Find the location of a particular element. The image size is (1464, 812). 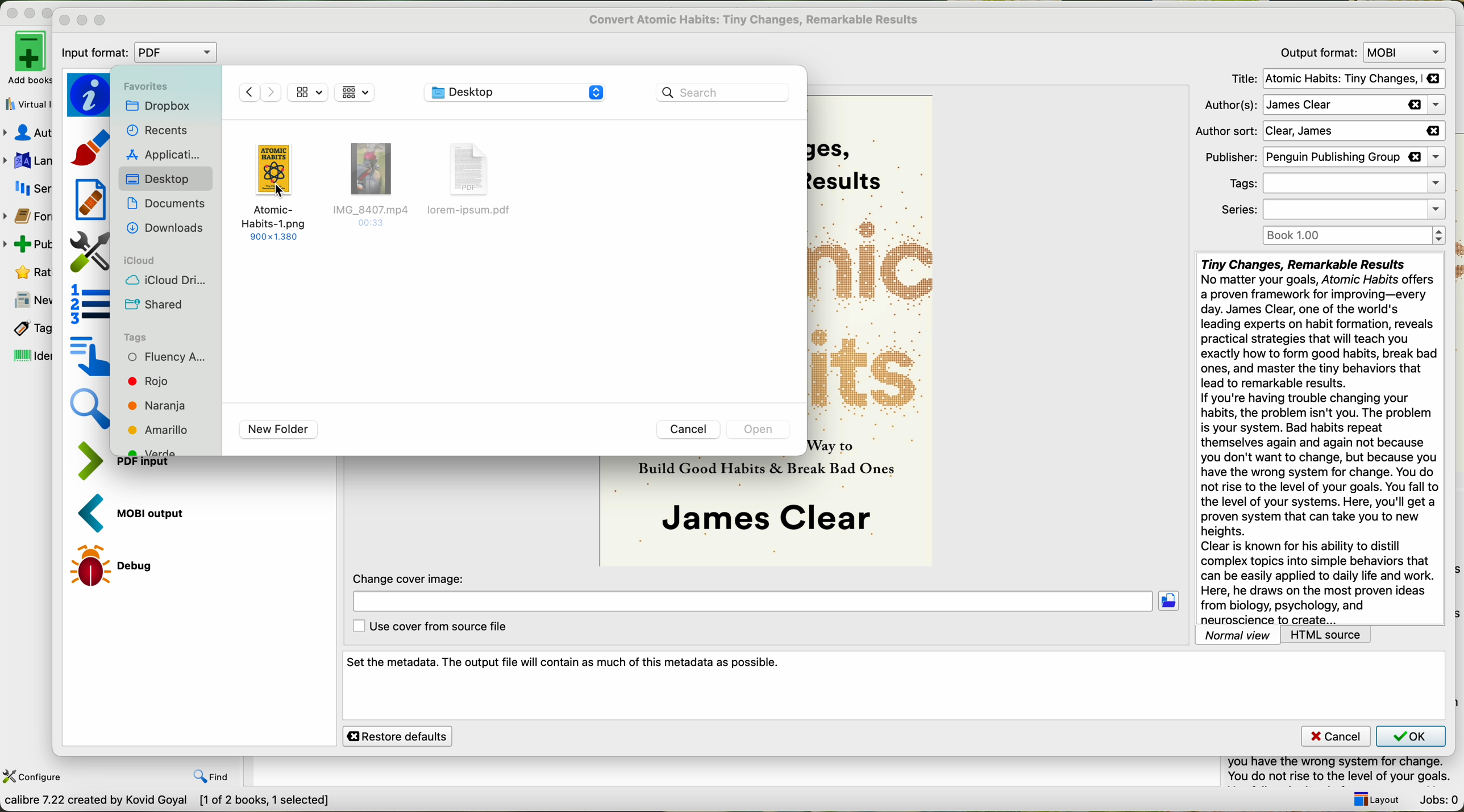

book cover is located at coordinates (705, 512).